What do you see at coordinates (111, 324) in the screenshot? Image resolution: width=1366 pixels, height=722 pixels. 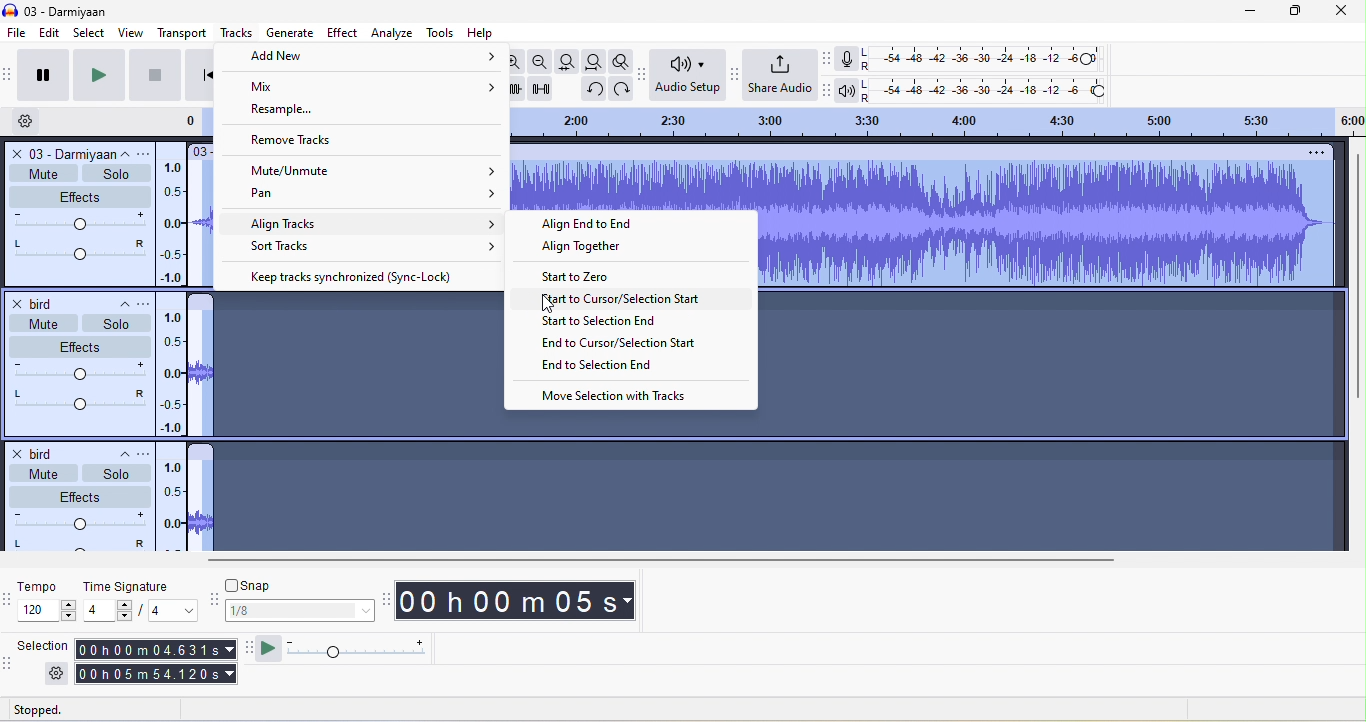 I see `solo` at bounding box center [111, 324].